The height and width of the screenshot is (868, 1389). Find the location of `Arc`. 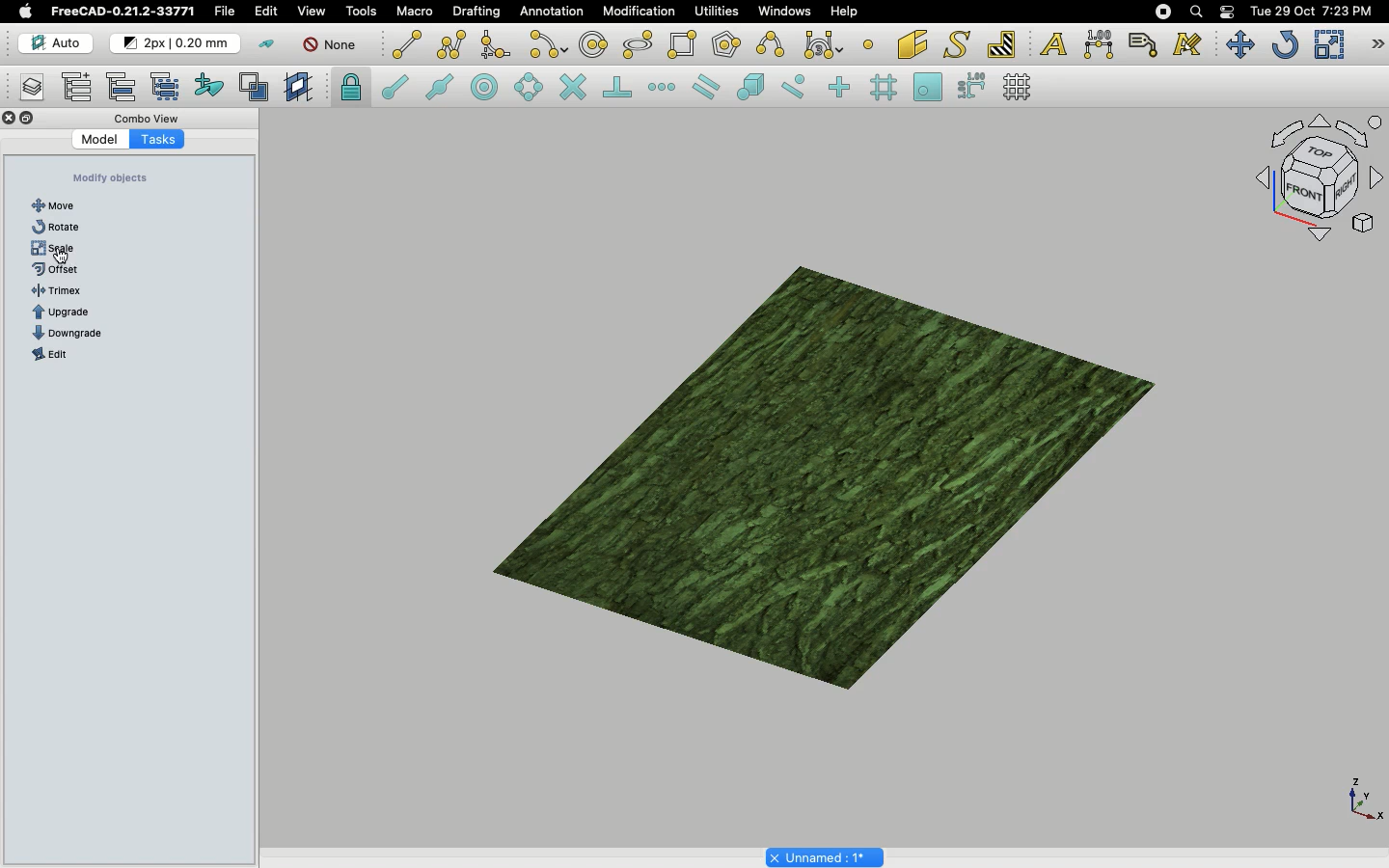

Arc is located at coordinates (62, 268).